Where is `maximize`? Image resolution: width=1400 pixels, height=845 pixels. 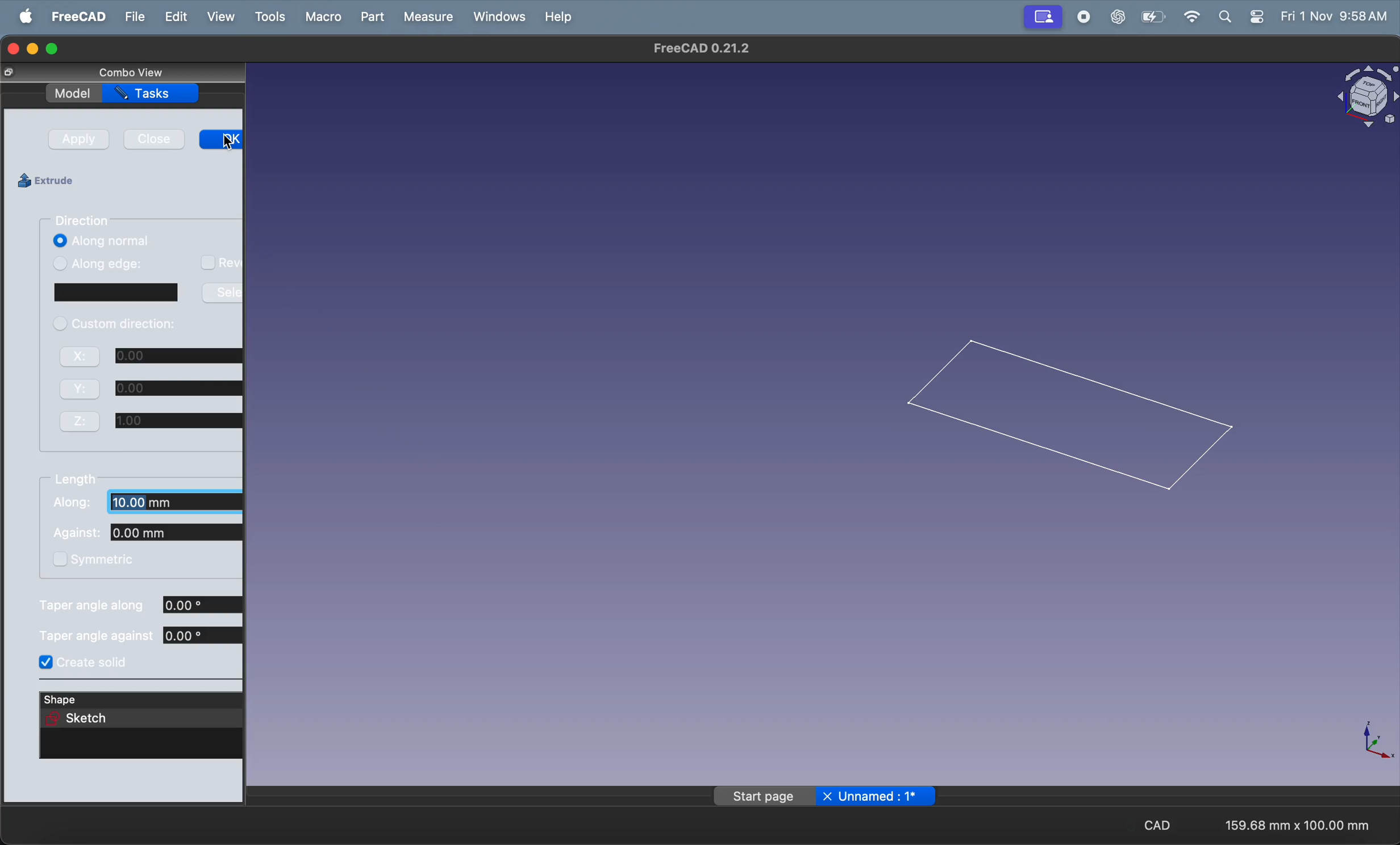 maximize is located at coordinates (55, 48).